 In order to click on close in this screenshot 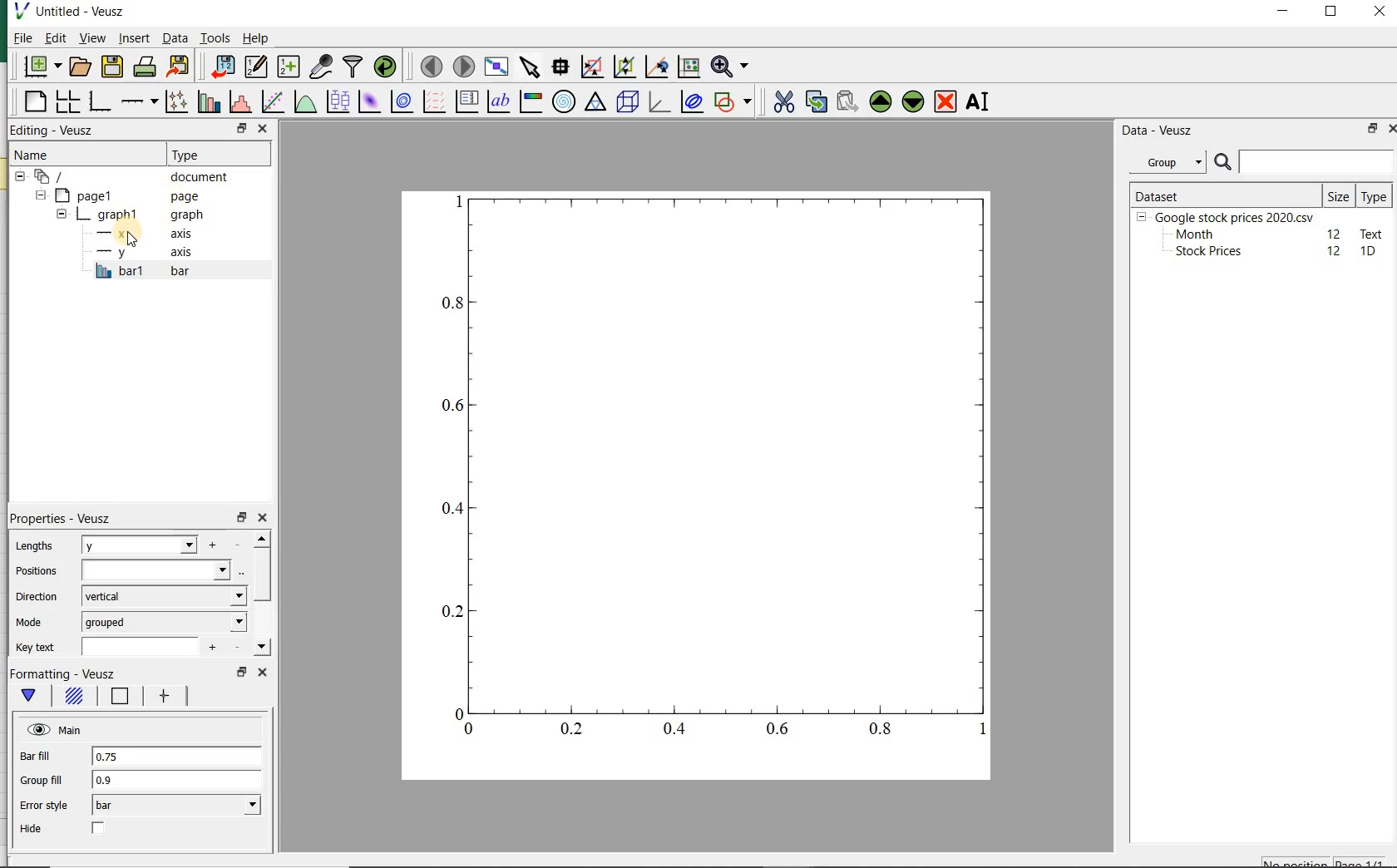, I will do `click(1380, 12)`.